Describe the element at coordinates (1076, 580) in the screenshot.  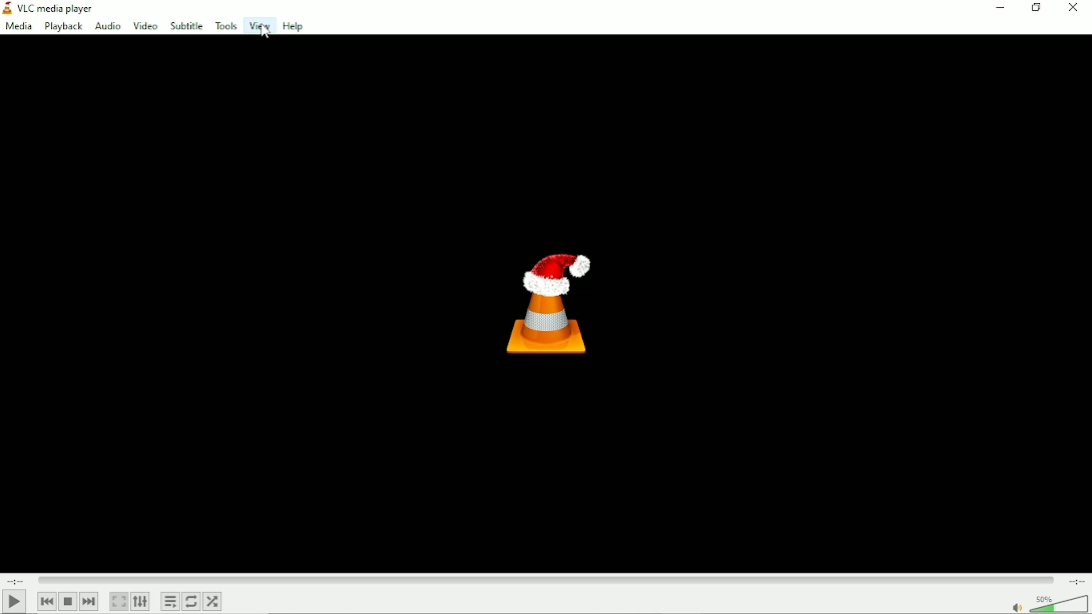
I see `Total duration` at that location.